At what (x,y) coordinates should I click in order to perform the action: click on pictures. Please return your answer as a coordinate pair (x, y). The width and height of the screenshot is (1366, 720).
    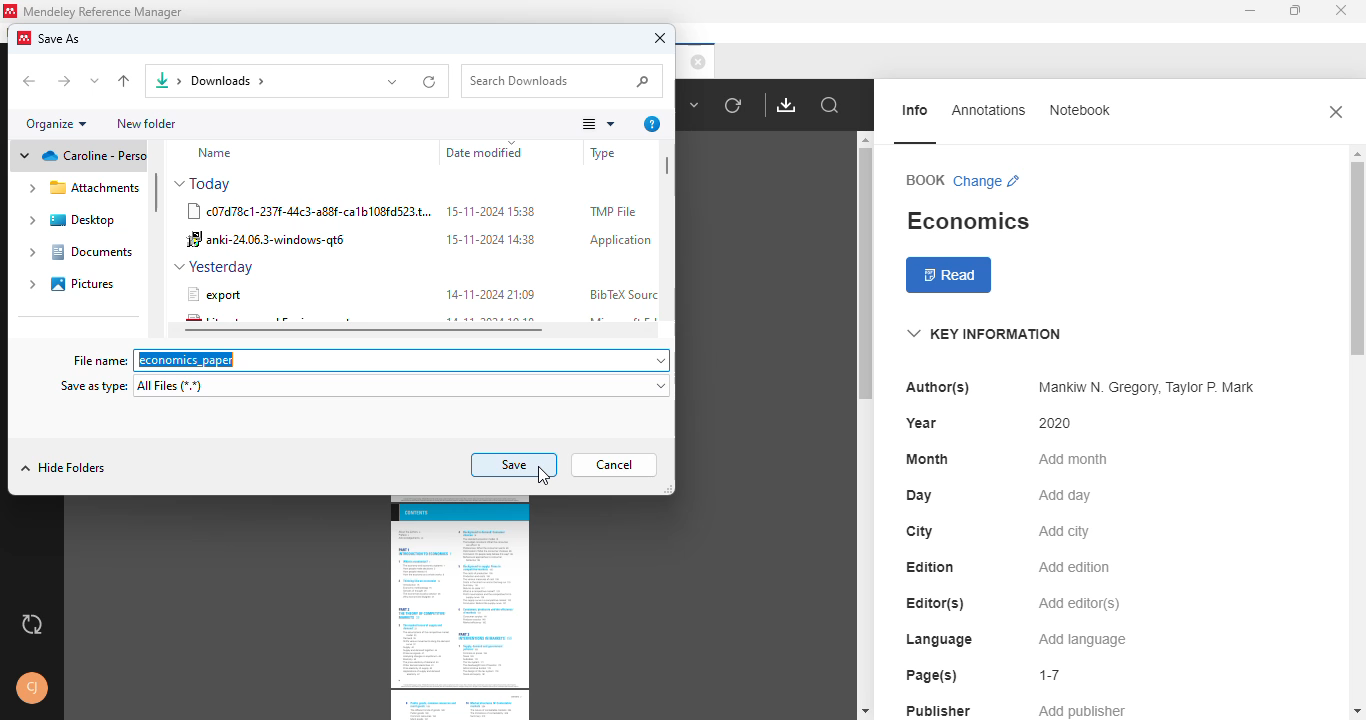
    Looking at the image, I should click on (74, 283).